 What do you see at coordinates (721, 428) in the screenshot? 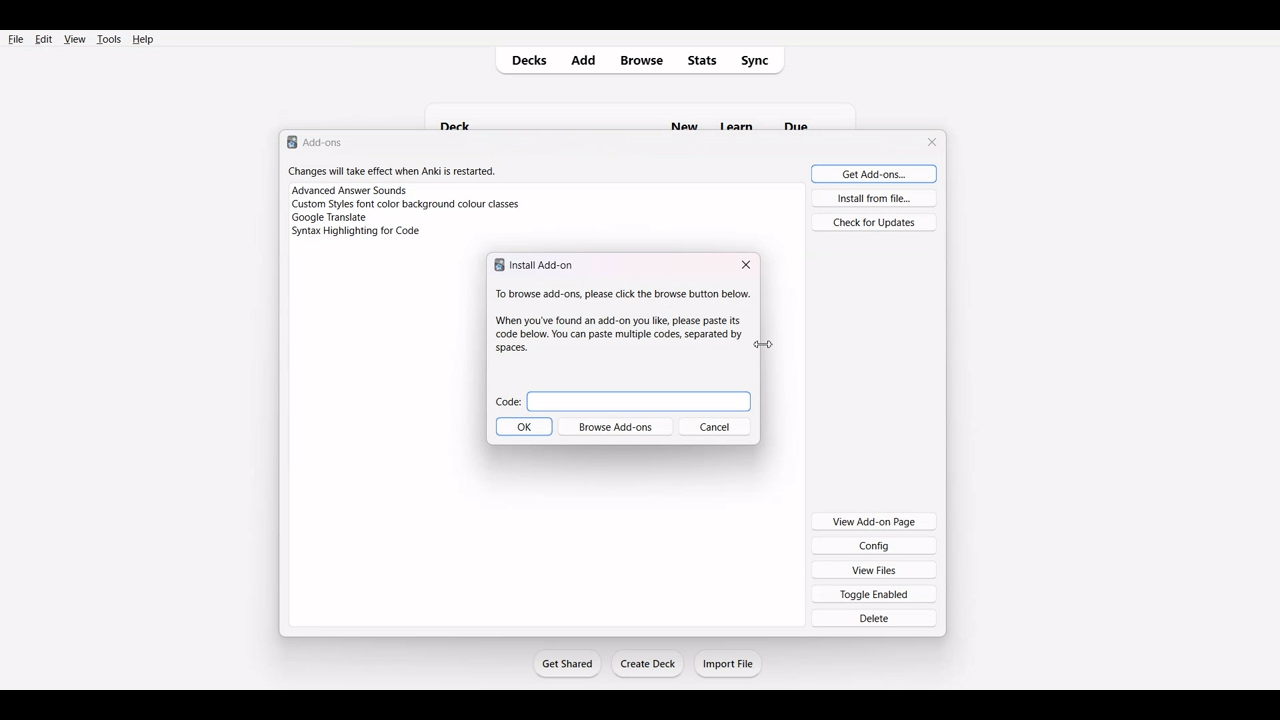
I see `Cancel` at bounding box center [721, 428].